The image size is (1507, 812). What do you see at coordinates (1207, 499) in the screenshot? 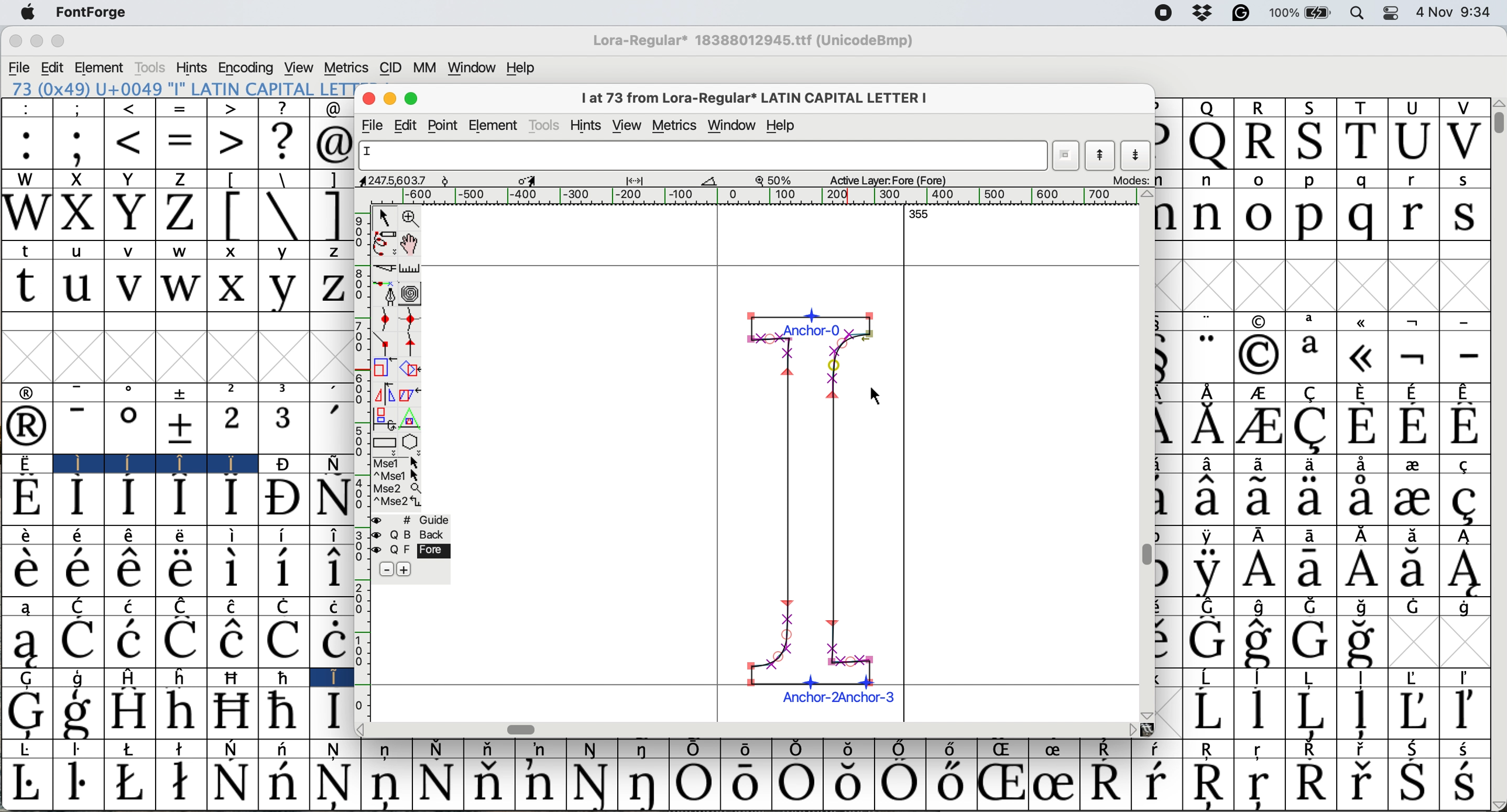
I see `Symbol` at bounding box center [1207, 499].